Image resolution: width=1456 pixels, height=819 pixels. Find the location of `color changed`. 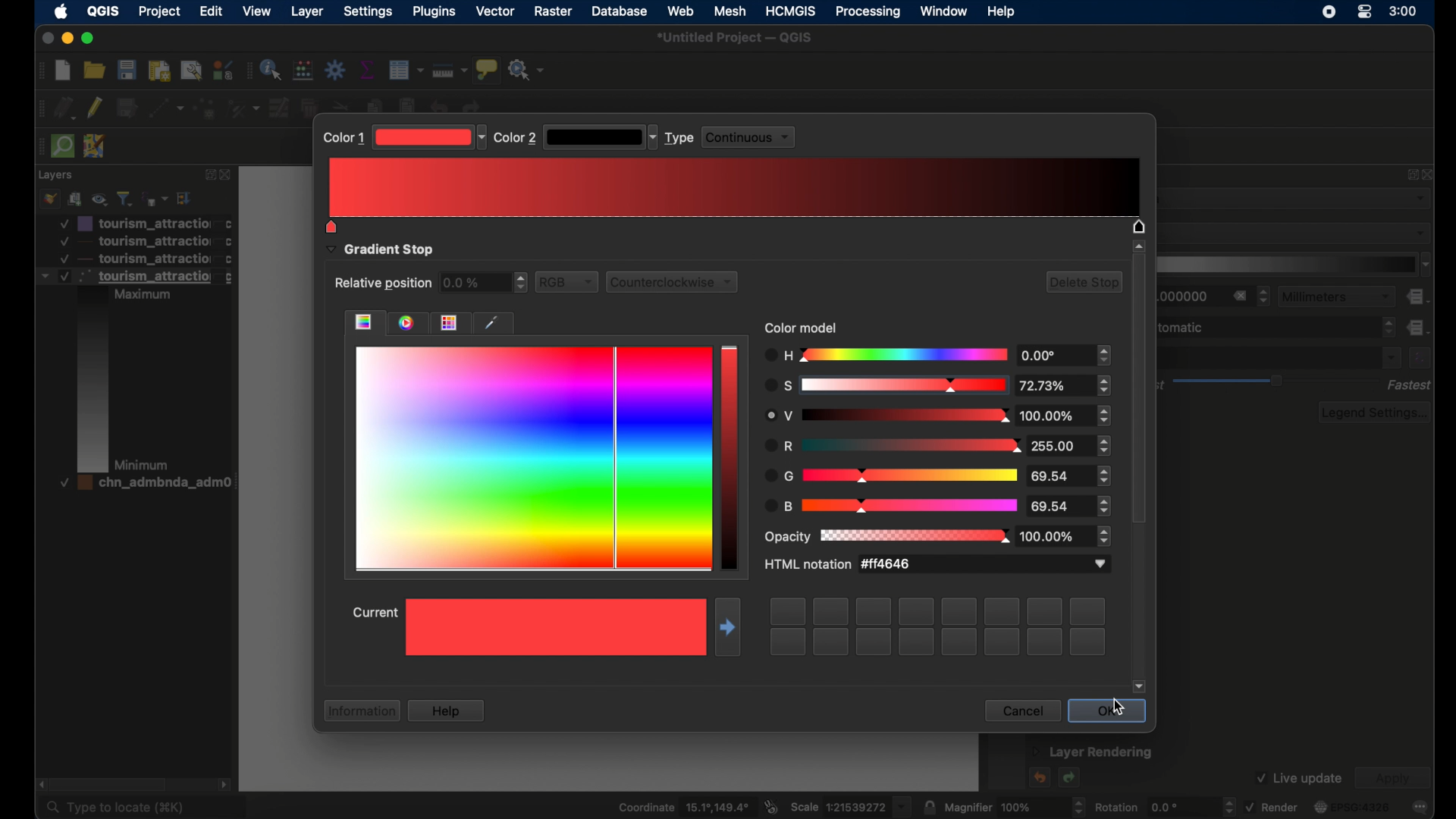

color changed is located at coordinates (905, 385).